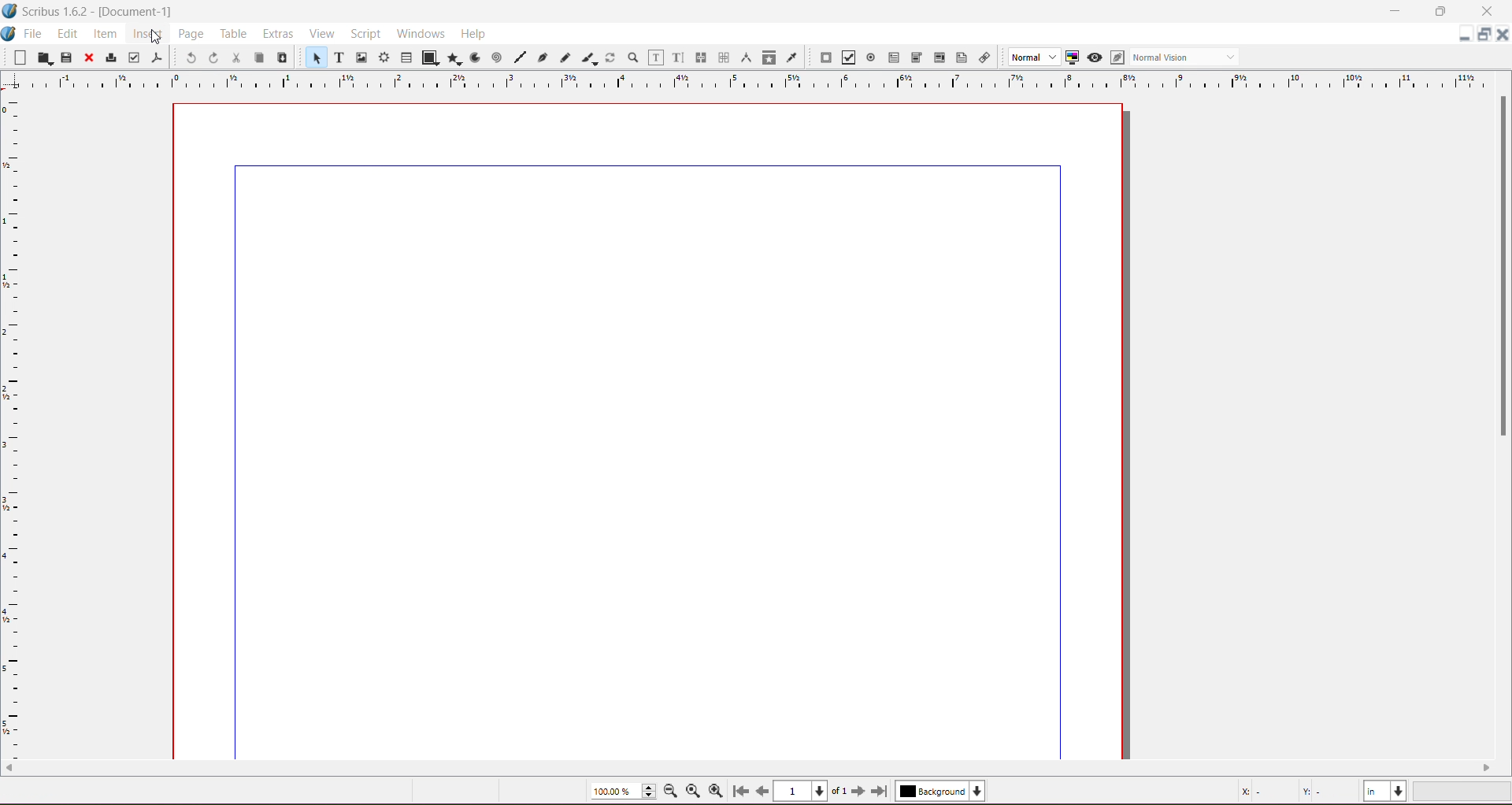 Image resolution: width=1512 pixels, height=805 pixels. What do you see at coordinates (1261, 791) in the screenshot?
I see `` at bounding box center [1261, 791].